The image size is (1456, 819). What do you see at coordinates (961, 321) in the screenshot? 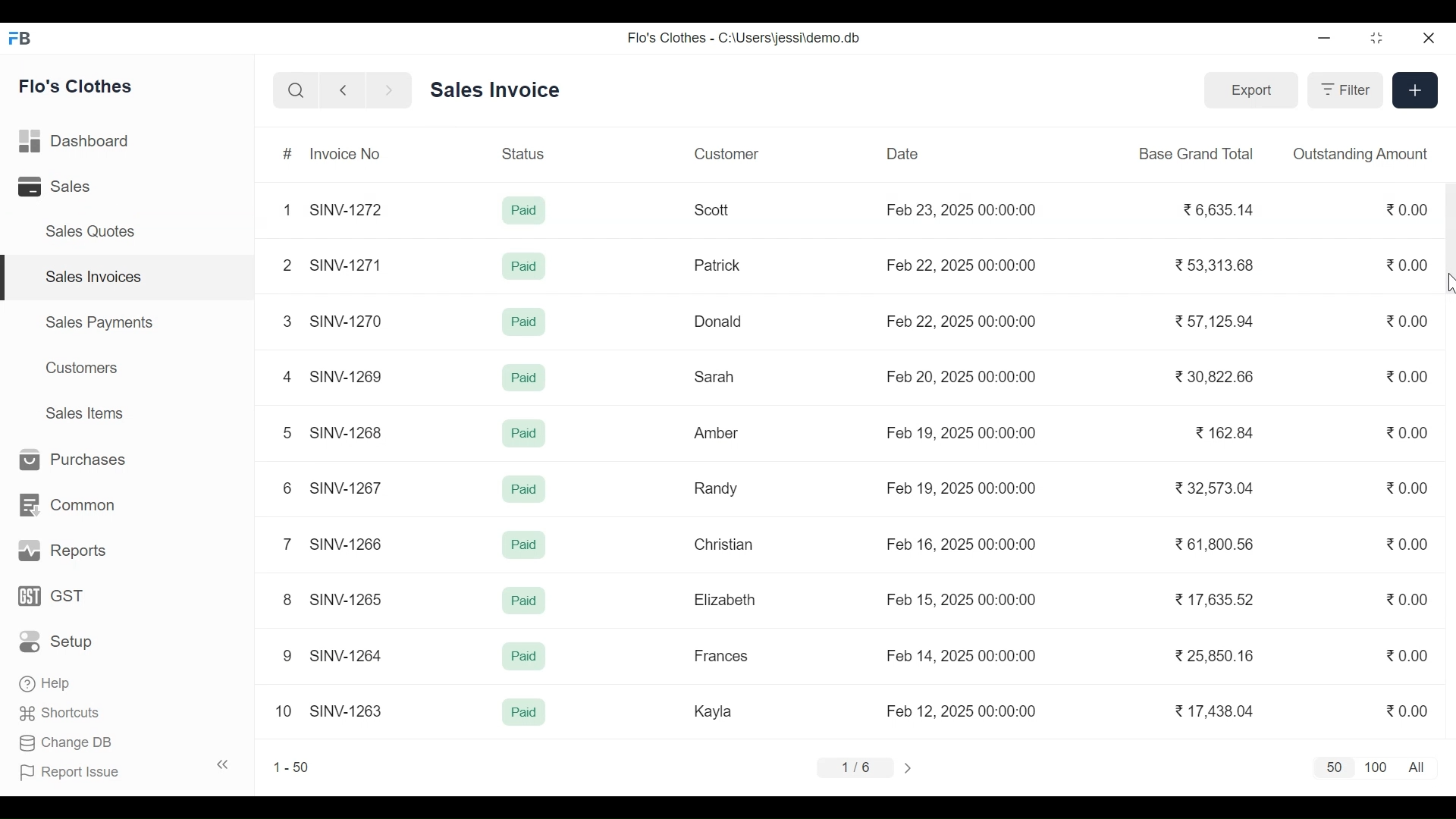
I see `Feb 22, 2025 00:00:00` at bounding box center [961, 321].